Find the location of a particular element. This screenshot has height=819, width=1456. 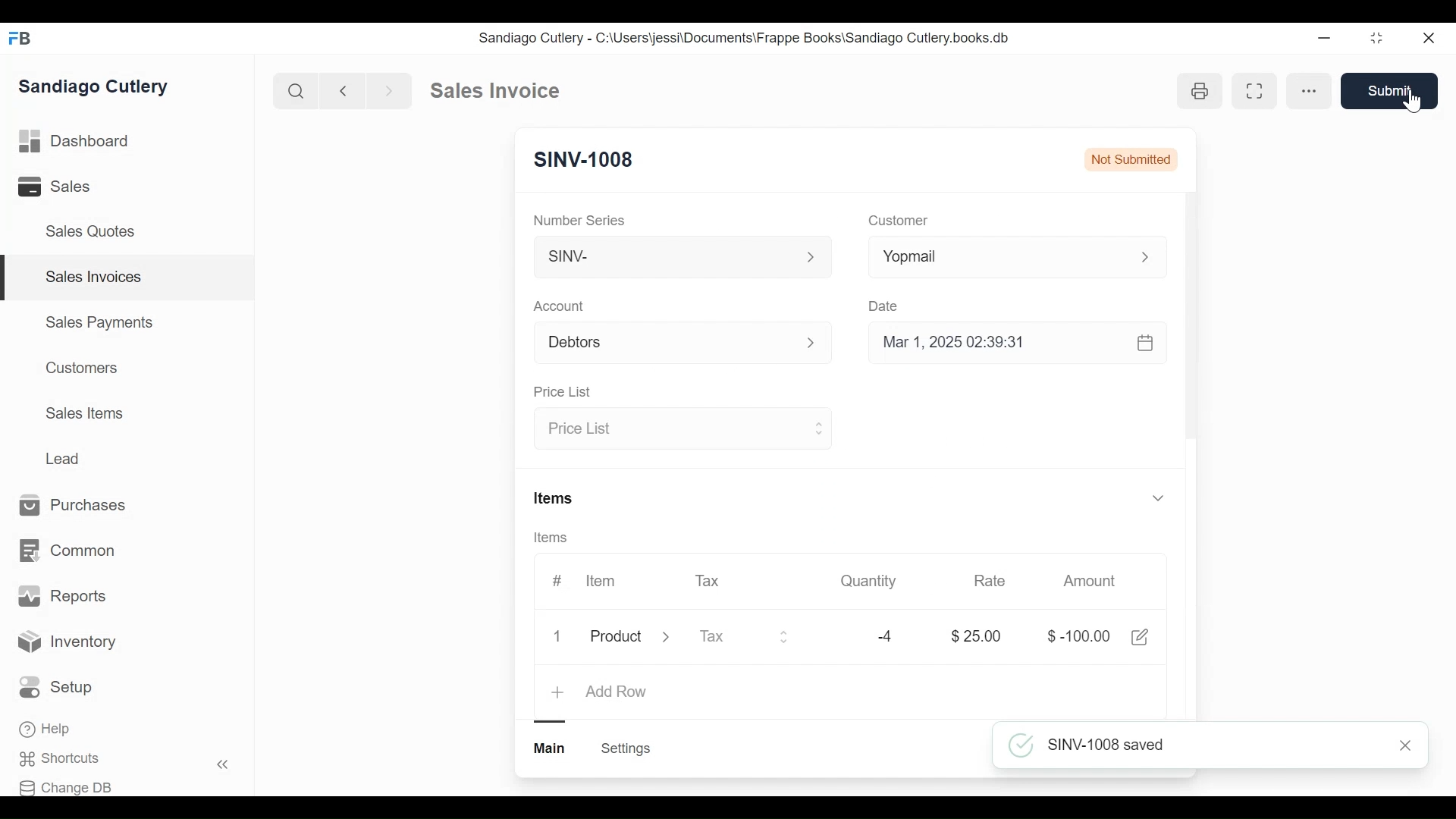

Item is located at coordinates (600, 580).